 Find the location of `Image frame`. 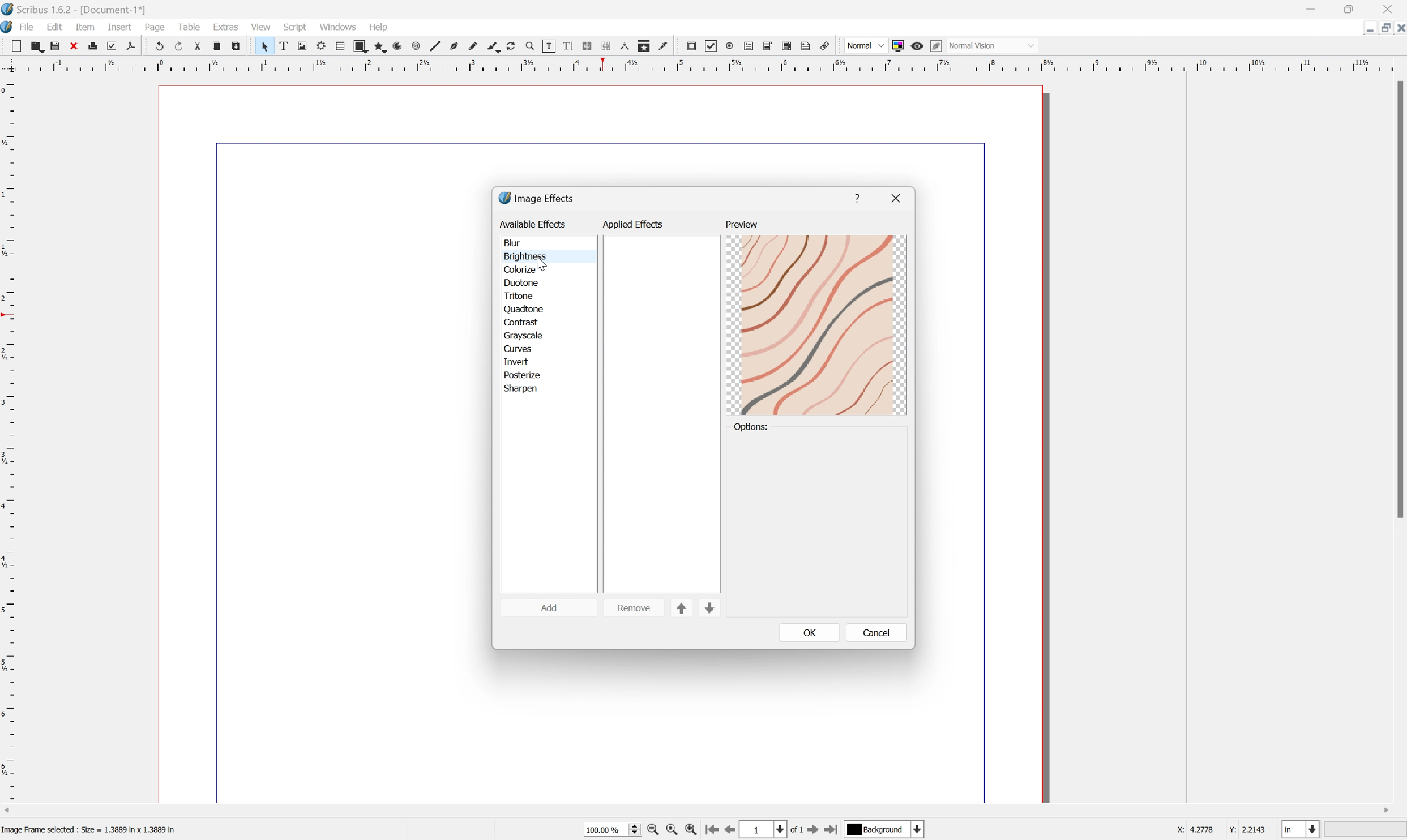

Image frame is located at coordinates (301, 44).